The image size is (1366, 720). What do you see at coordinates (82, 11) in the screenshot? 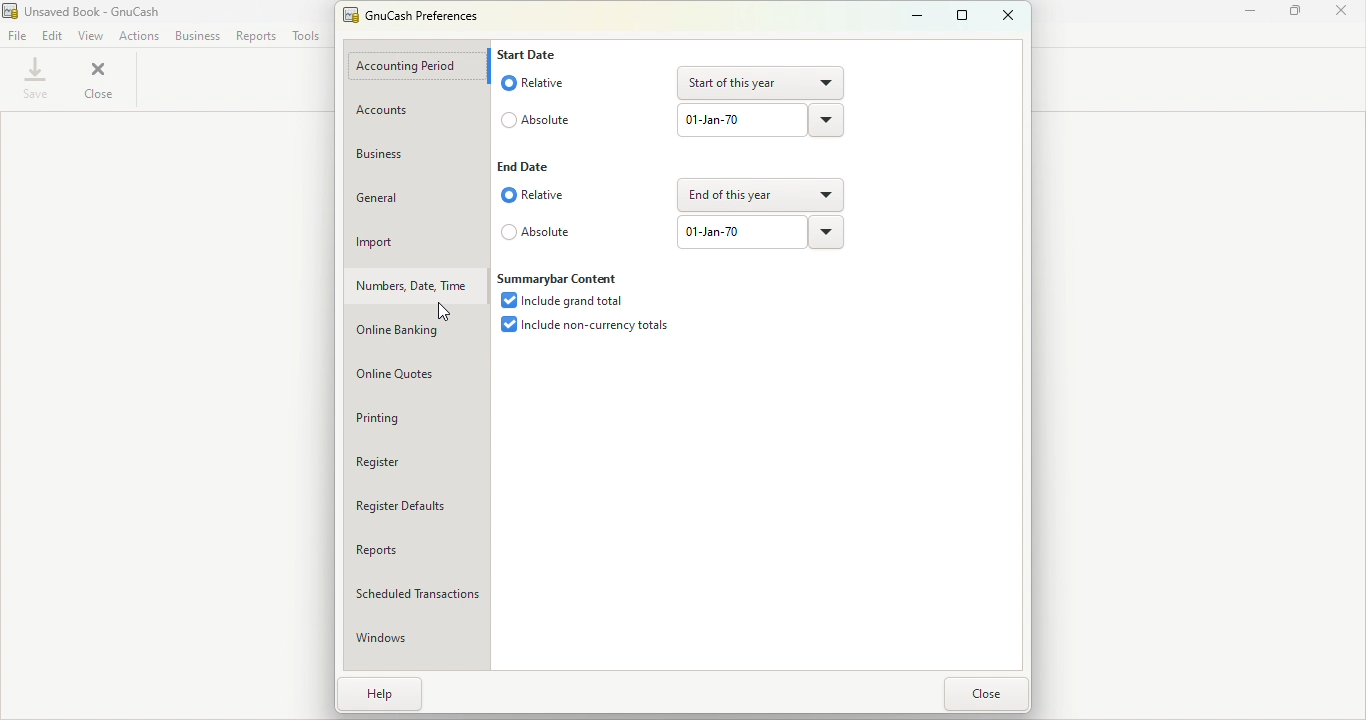
I see `Unsaved Book - GnuCash` at bounding box center [82, 11].